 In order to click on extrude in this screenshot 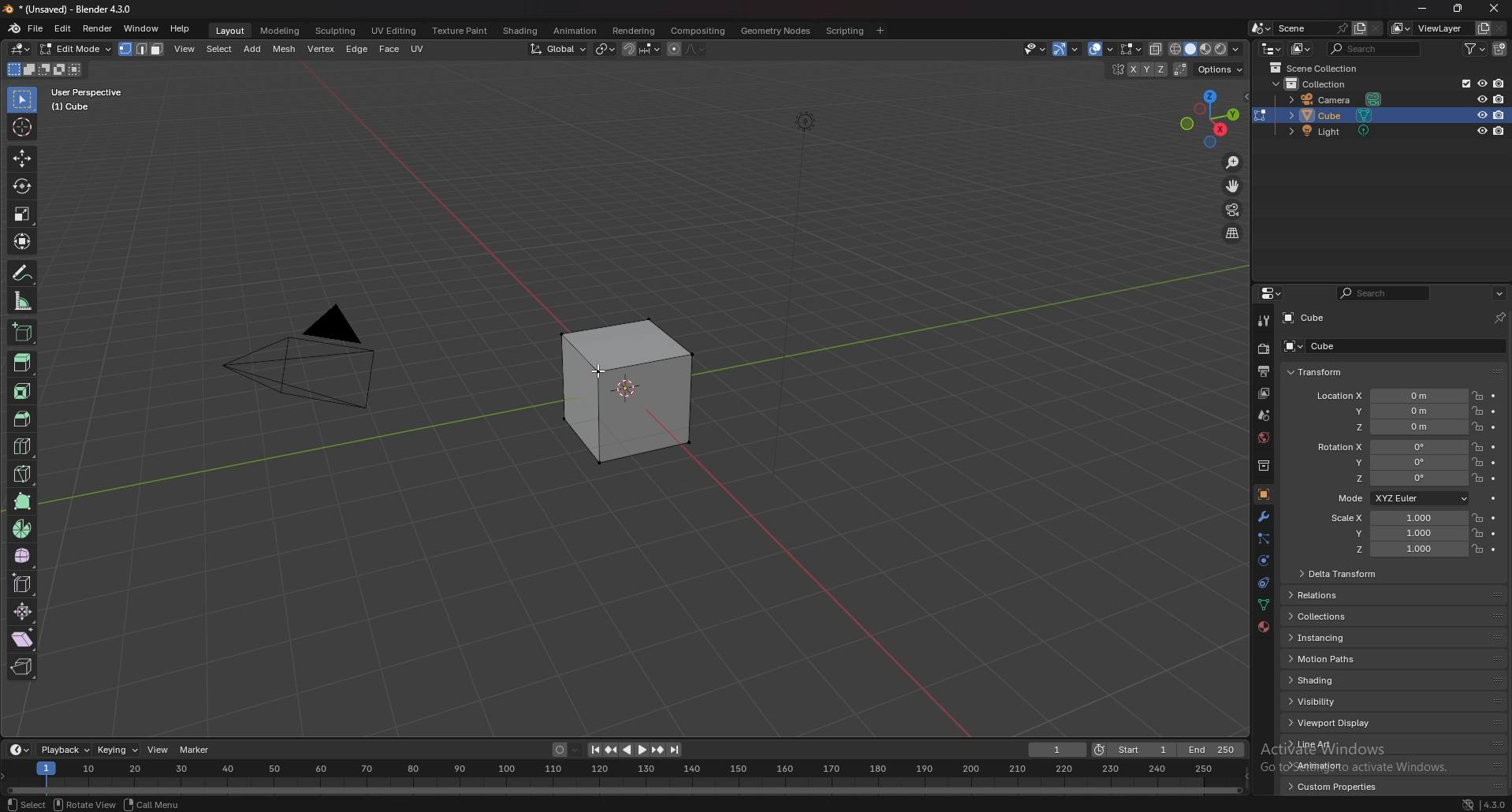, I will do `click(24, 363)`.